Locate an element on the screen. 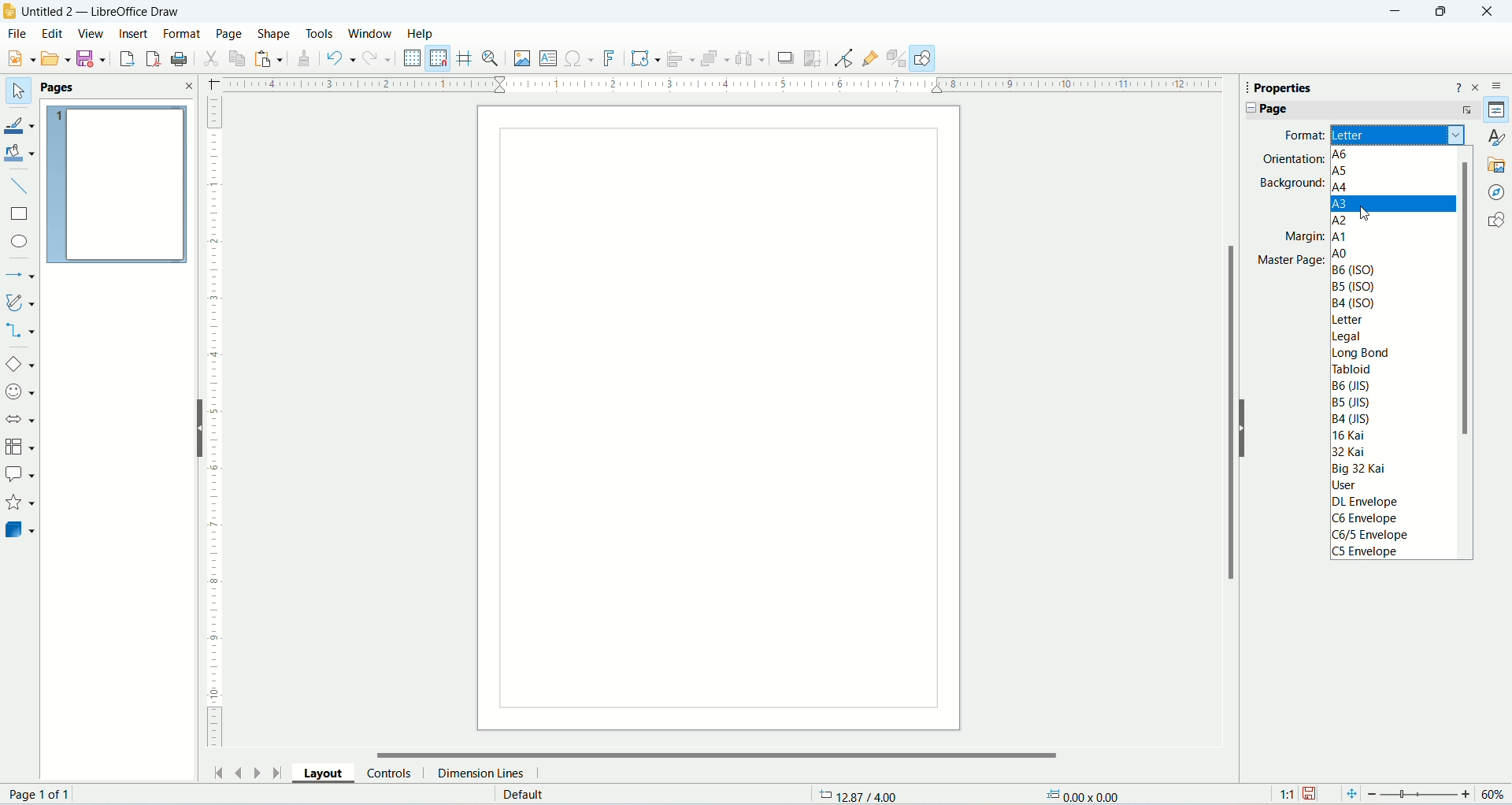 This screenshot has height=805, width=1512. paste is located at coordinates (272, 59).